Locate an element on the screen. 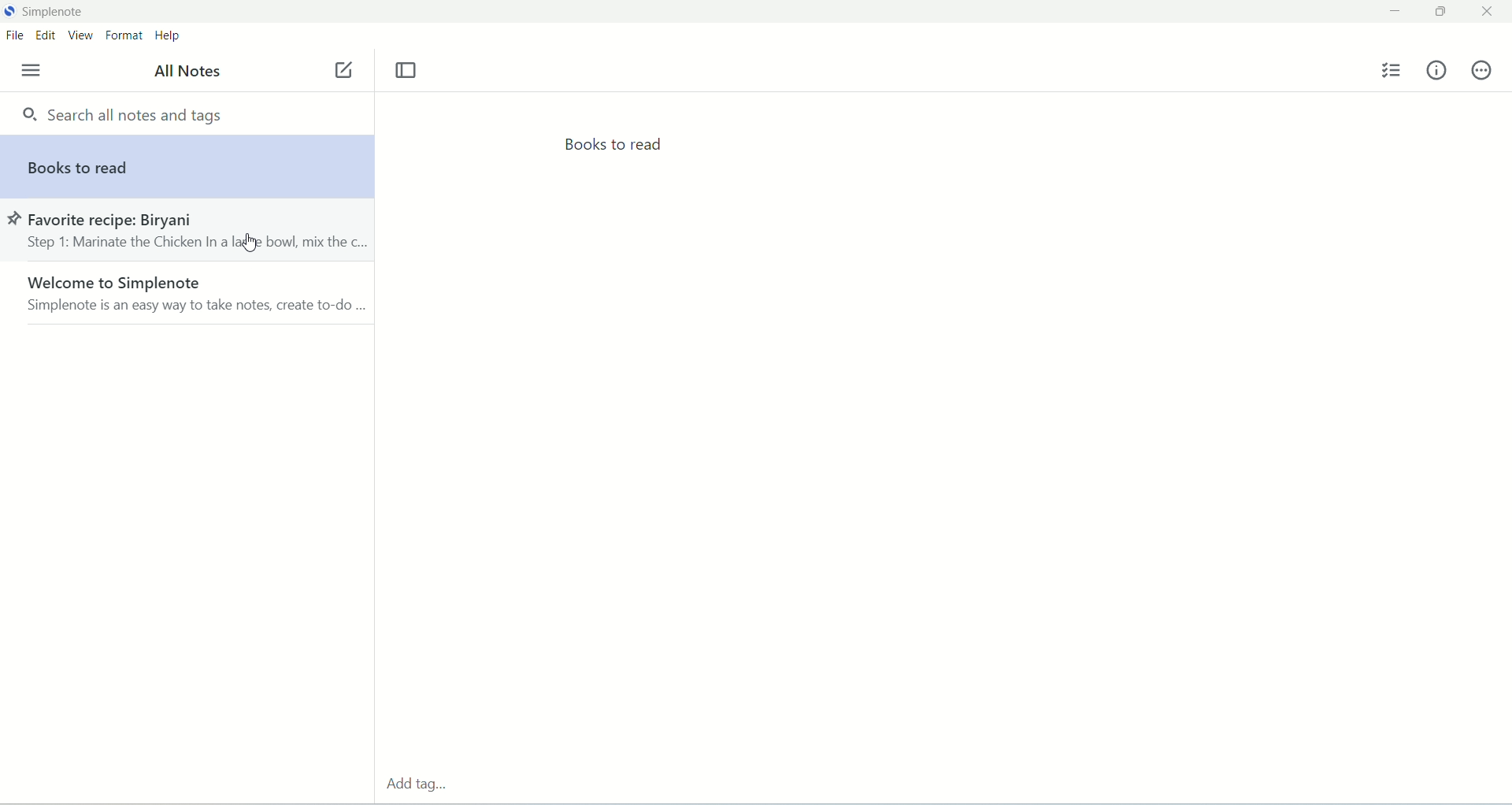 This screenshot has width=1512, height=805. books to read is located at coordinates (606, 152).